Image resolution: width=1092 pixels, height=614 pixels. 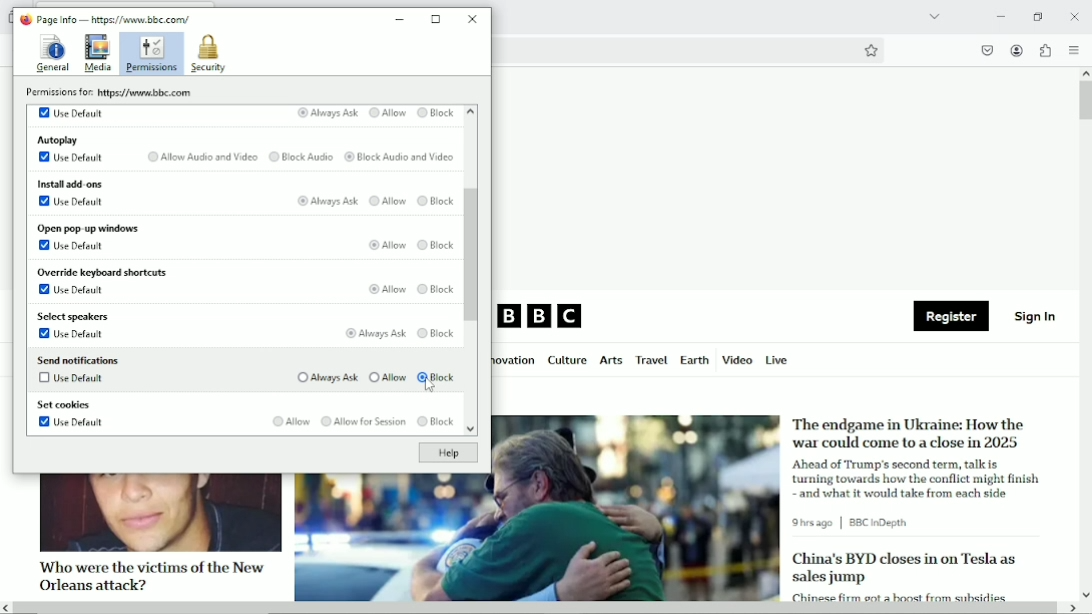 I want to click on image, so click(x=159, y=513).